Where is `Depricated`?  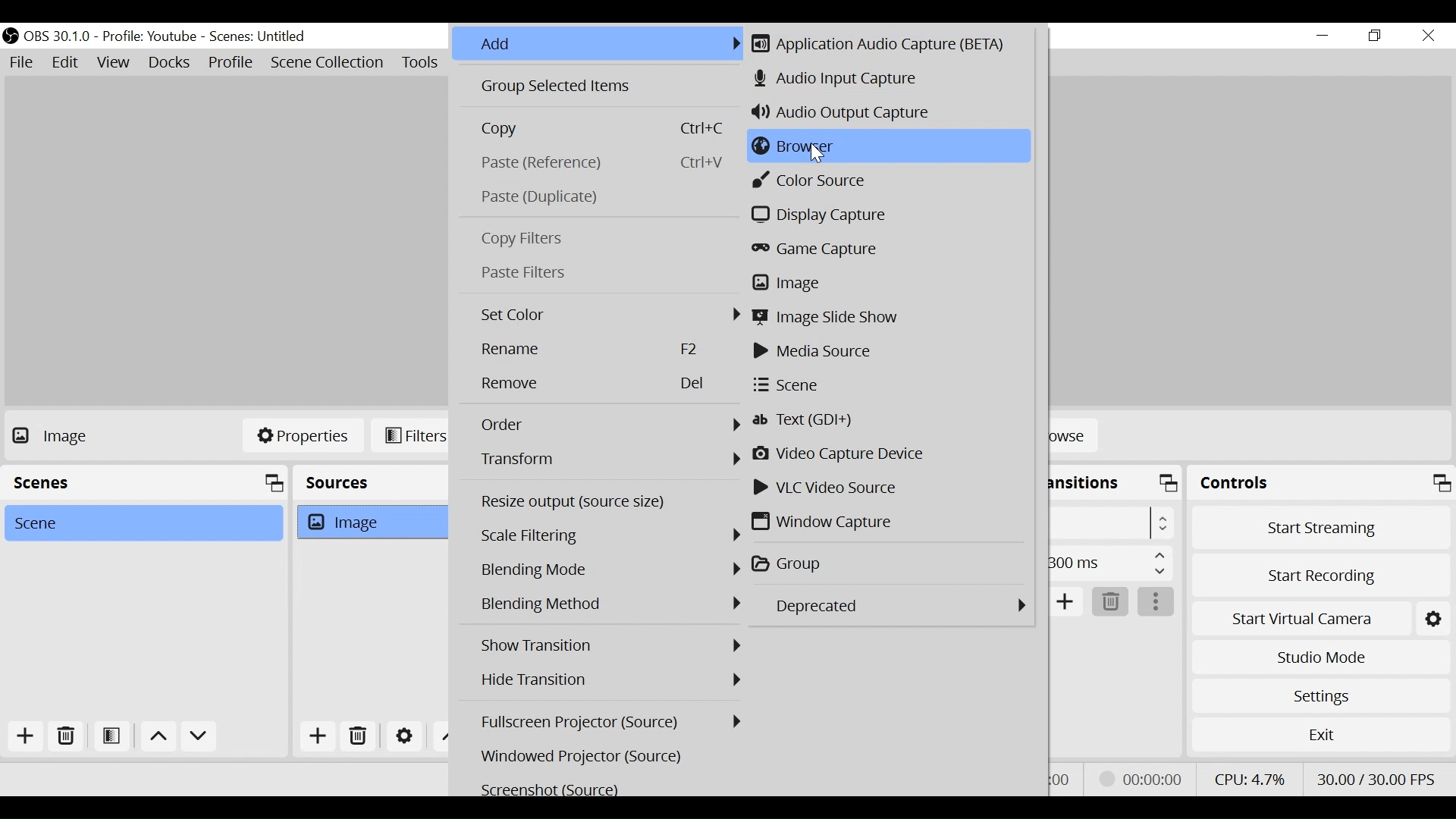
Depricated is located at coordinates (895, 606).